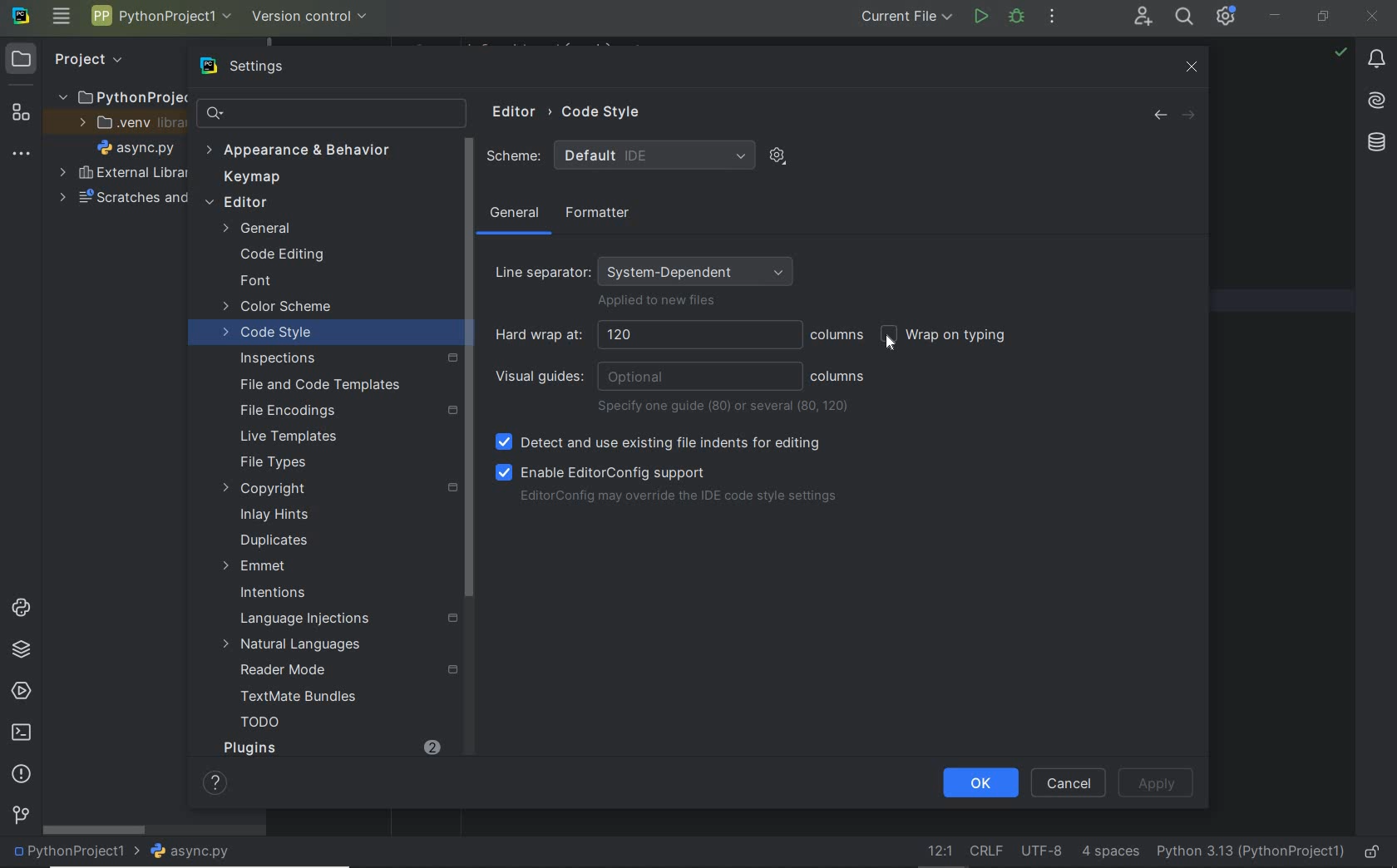 This screenshot has width=1397, height=868. What do you see at coordinates (1108, 852) in the screenshot?
I see `indent` at bounding box center [1108, 852].